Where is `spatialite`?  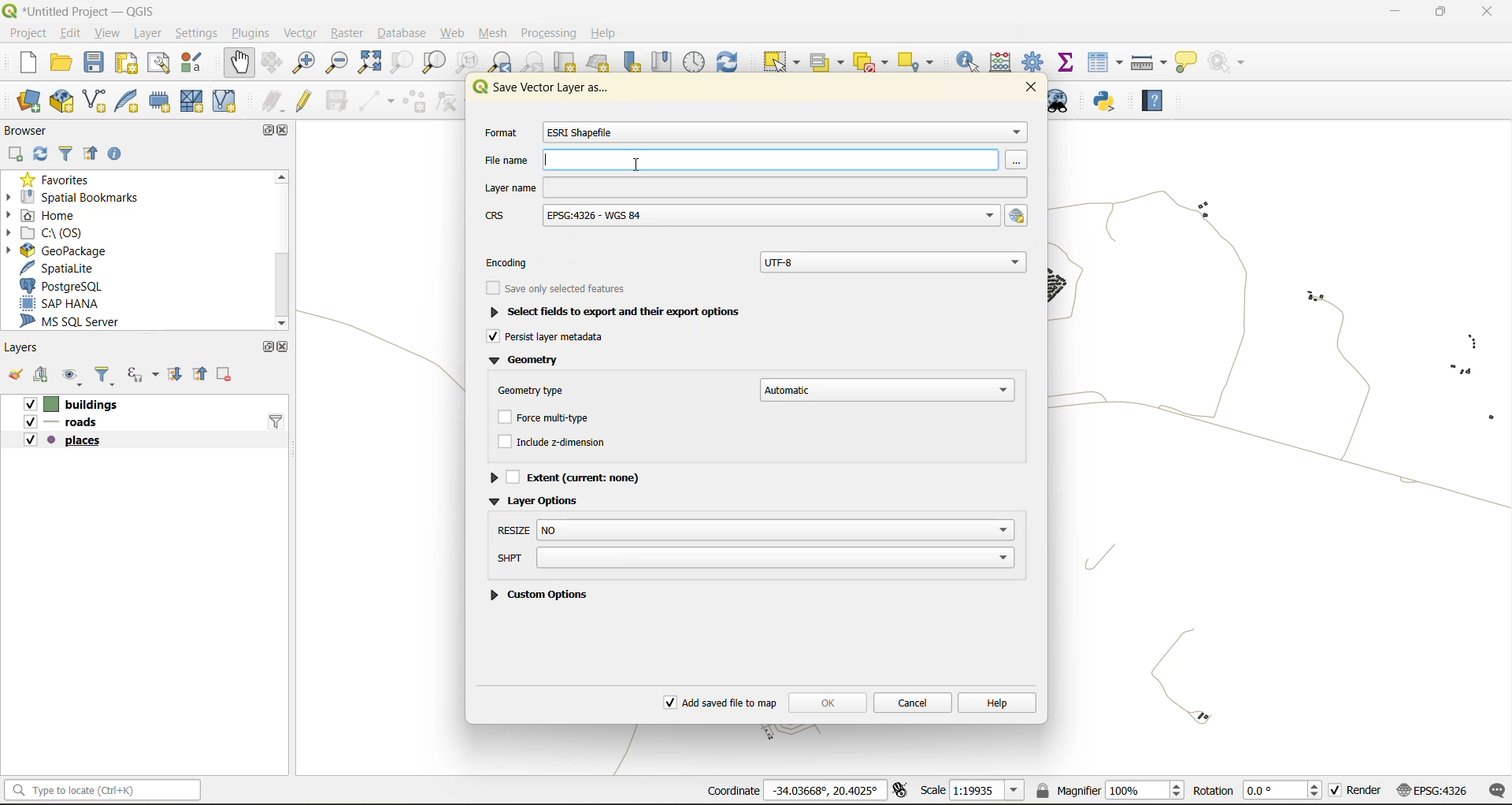
spatialite is located at coordinates (57, 267).